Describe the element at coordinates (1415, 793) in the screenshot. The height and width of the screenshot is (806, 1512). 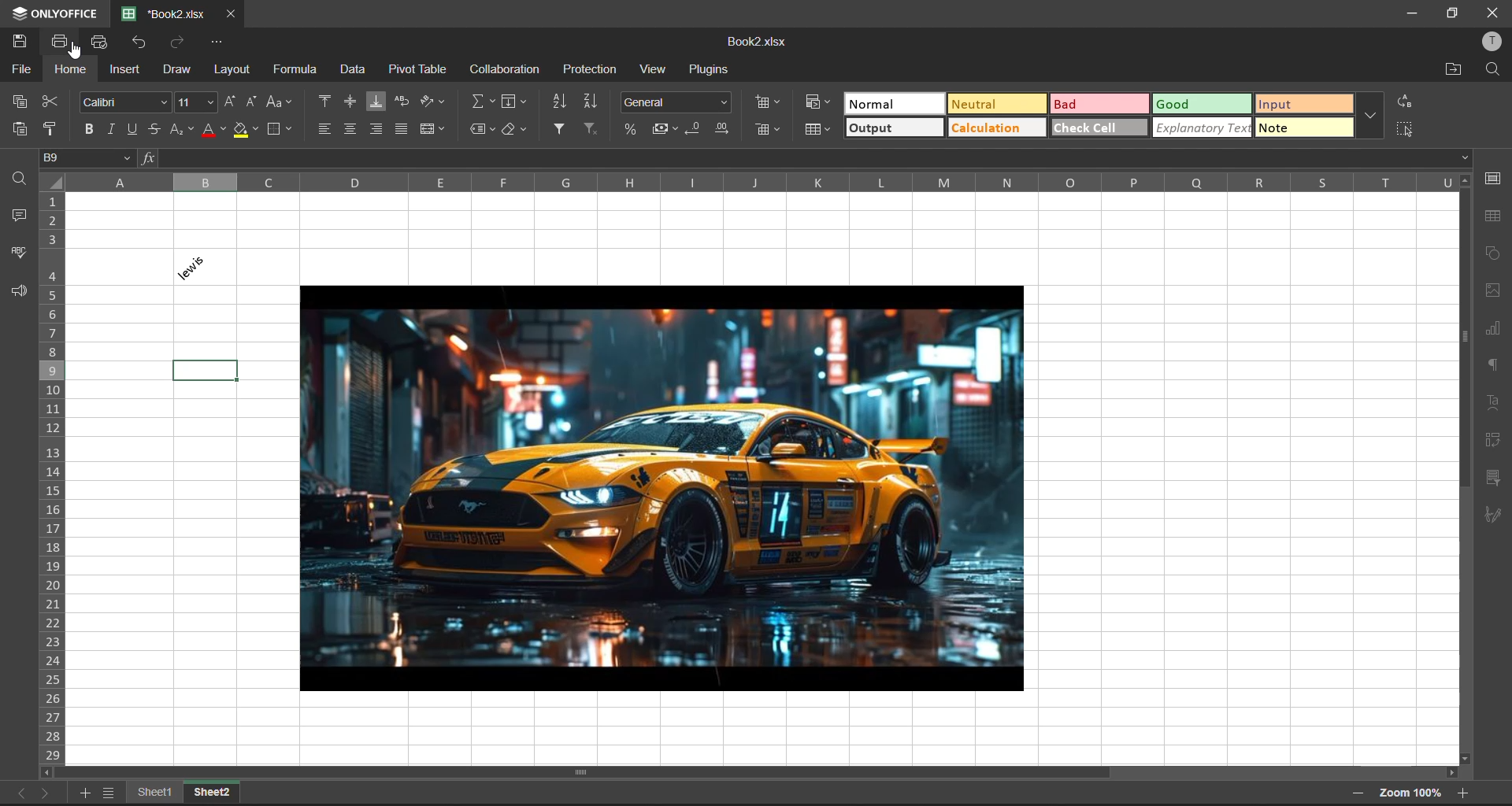
I see `zoom factor` at that location.